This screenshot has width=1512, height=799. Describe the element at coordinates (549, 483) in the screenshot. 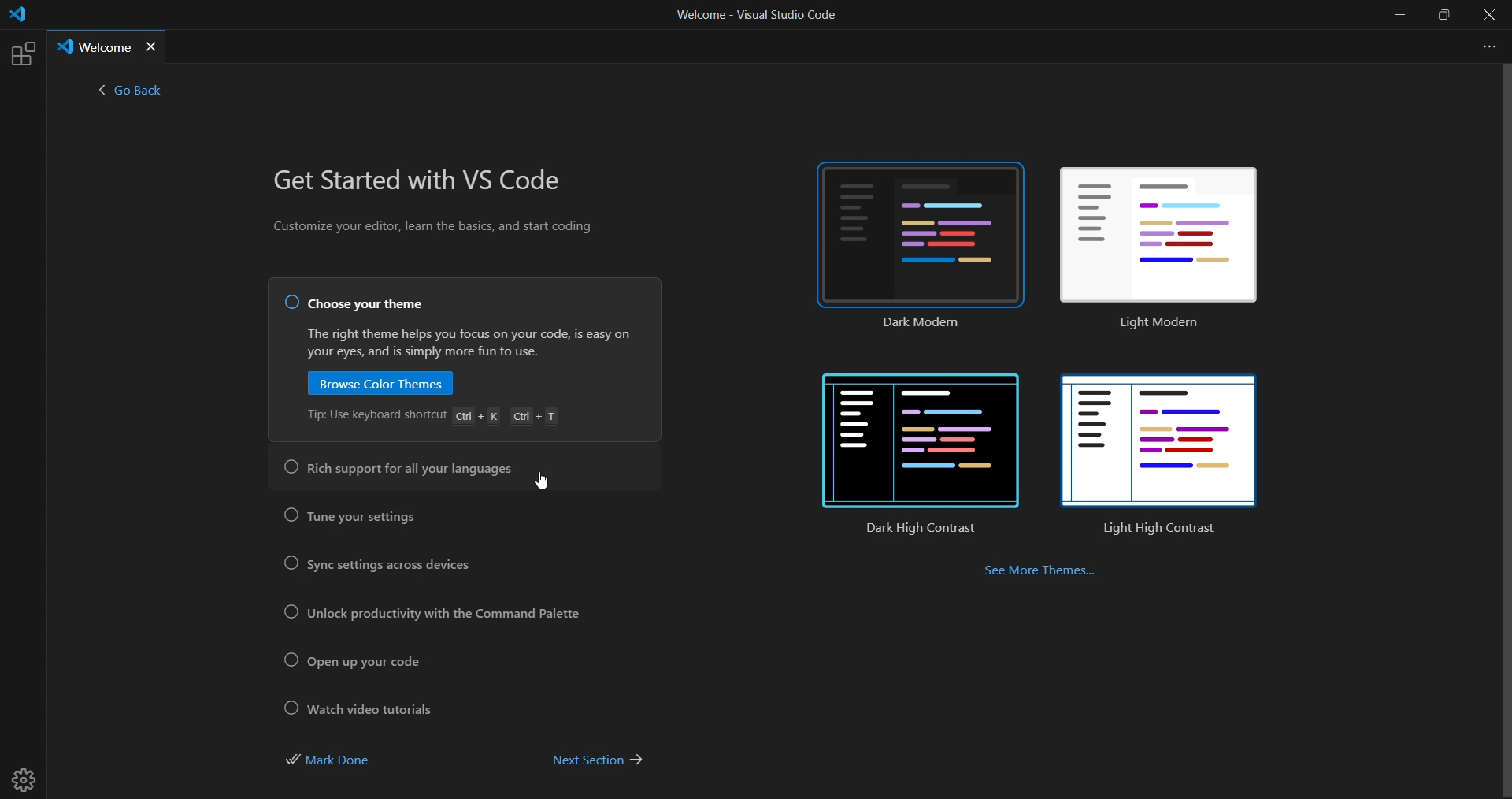

I see `cursor` at that location.